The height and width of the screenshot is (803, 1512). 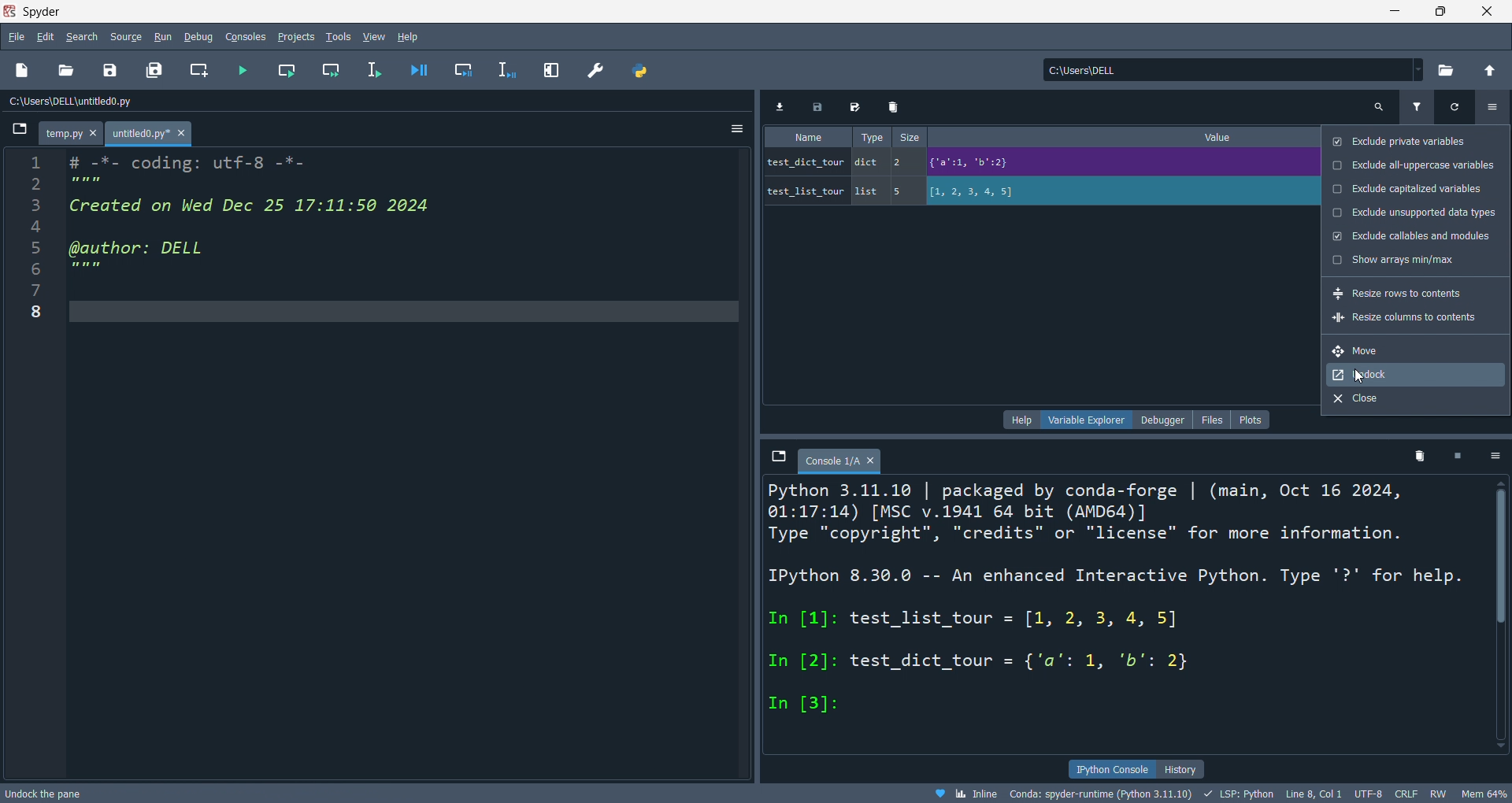 What do you see at coordinates (1488, 71) in the screenshot?
I see `open parent directory` at bounding box center [1488, 71].